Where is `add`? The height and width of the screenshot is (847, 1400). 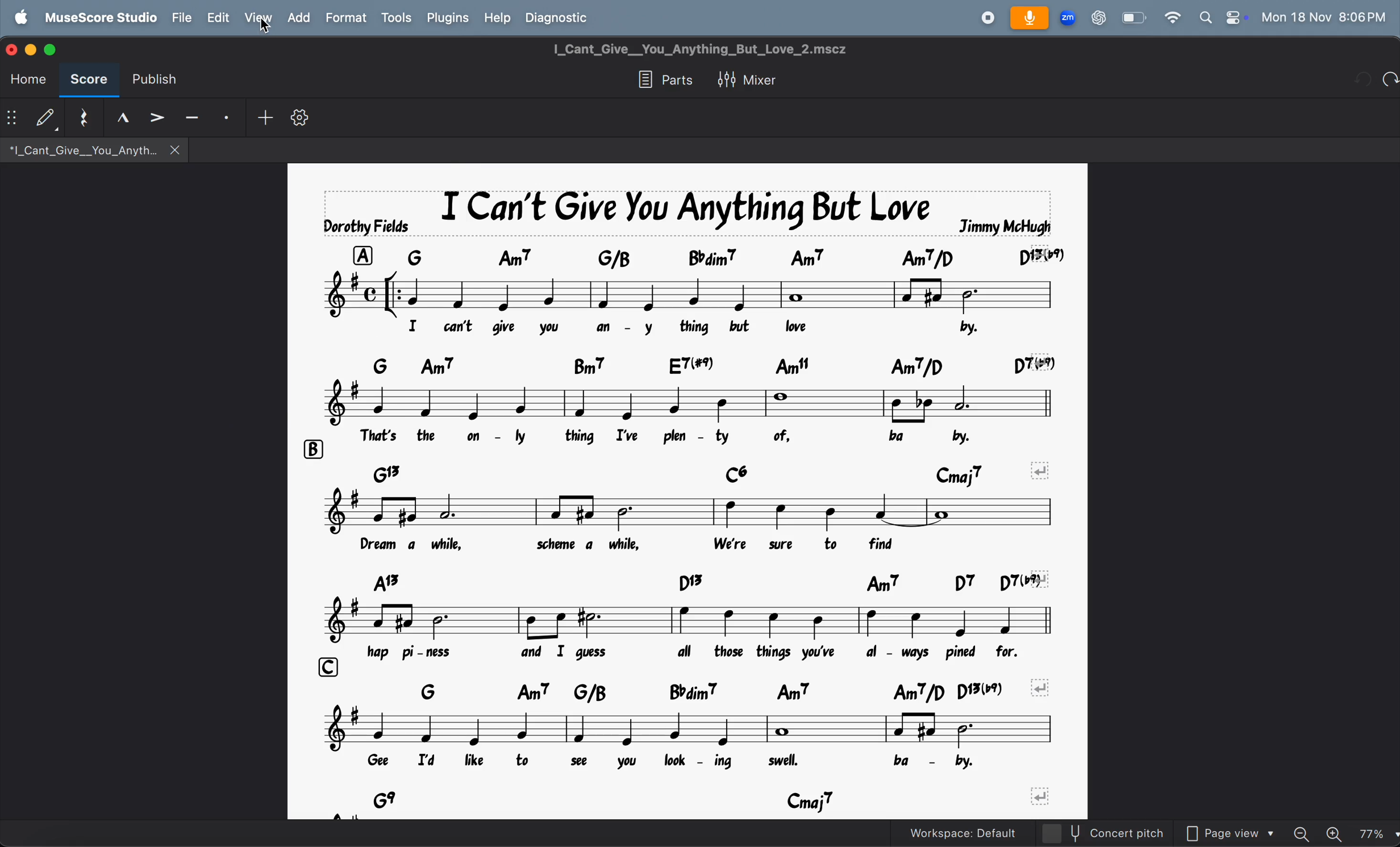
add is located at coordinates (262, 115).